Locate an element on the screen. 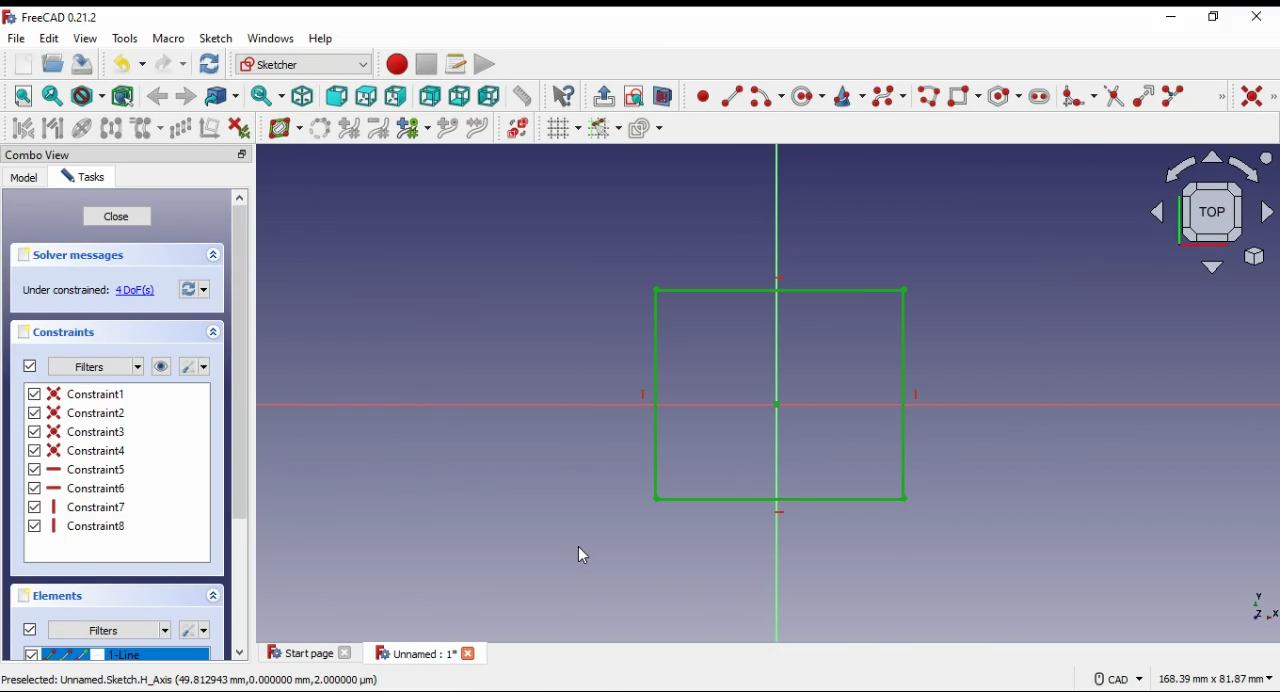  insert knot is located at coordinates (447, 129).